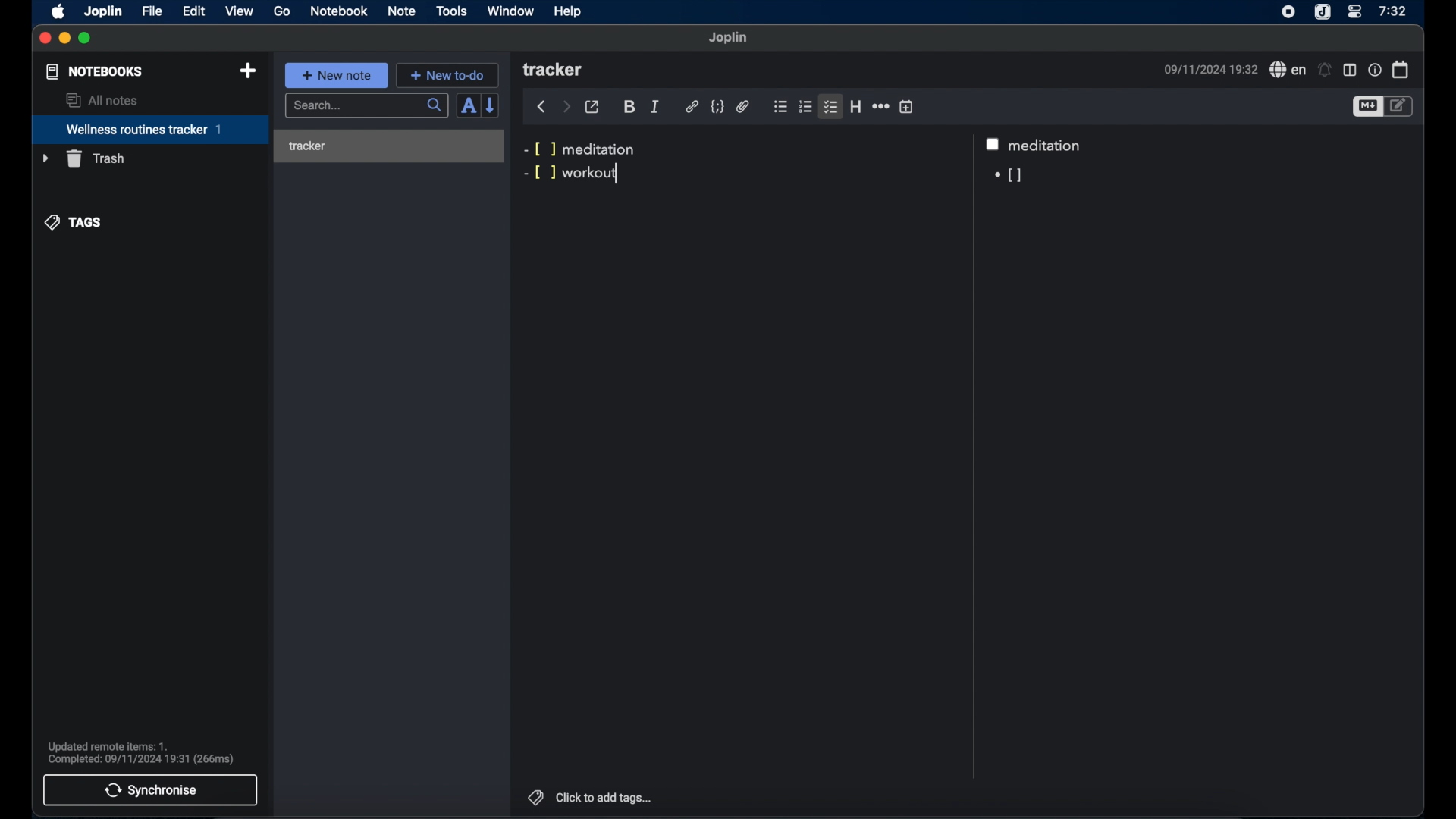 This screenshot has width=1456, height=819. I want to click on -[ ] workout, so click(569, 174).